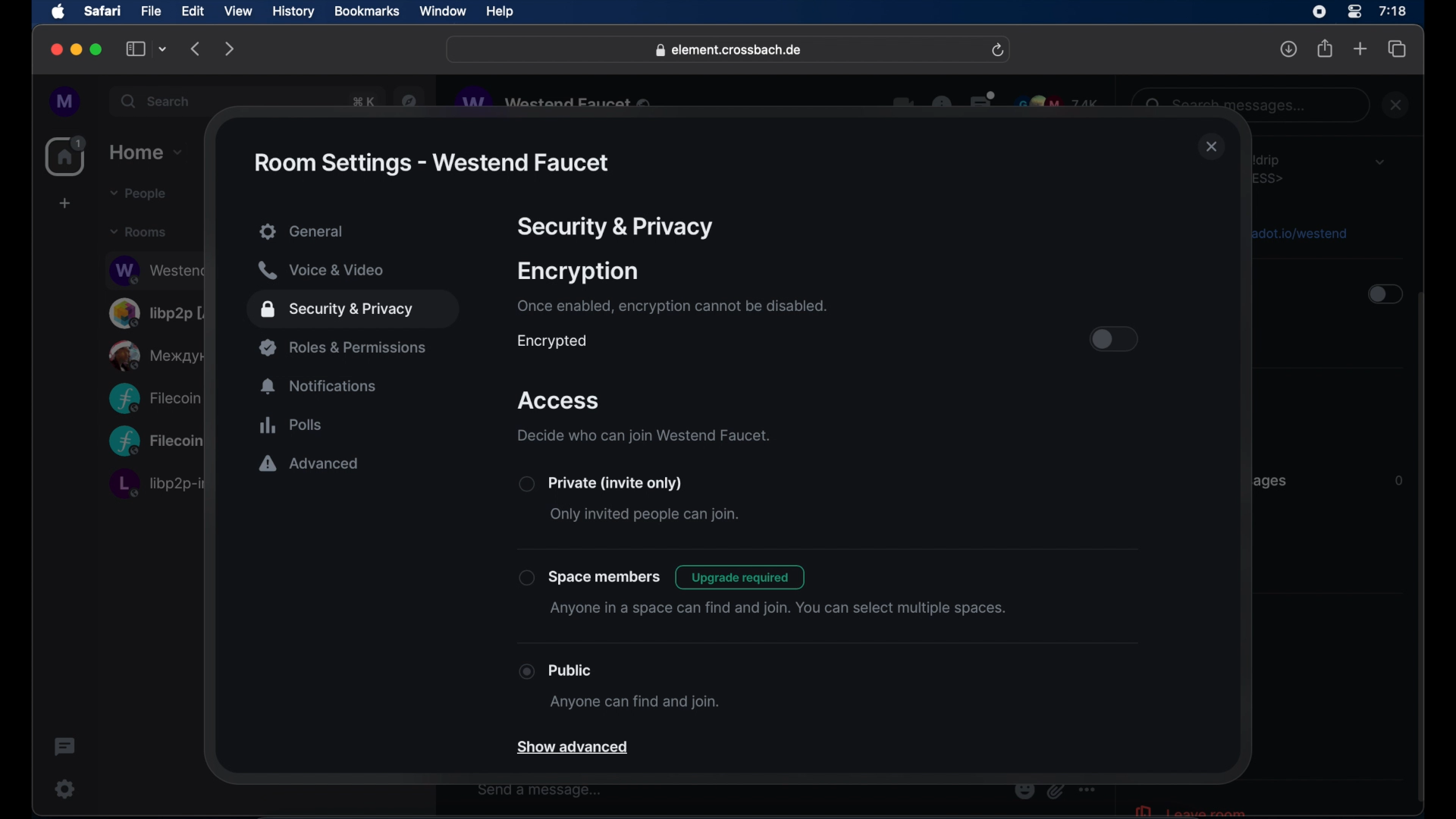 Image resolution: width=1456 pixels, height=819 pixels. What do you see at coordinates (64, 203) in the screenshot?
I see `create space` at bounding box center [64, 203].